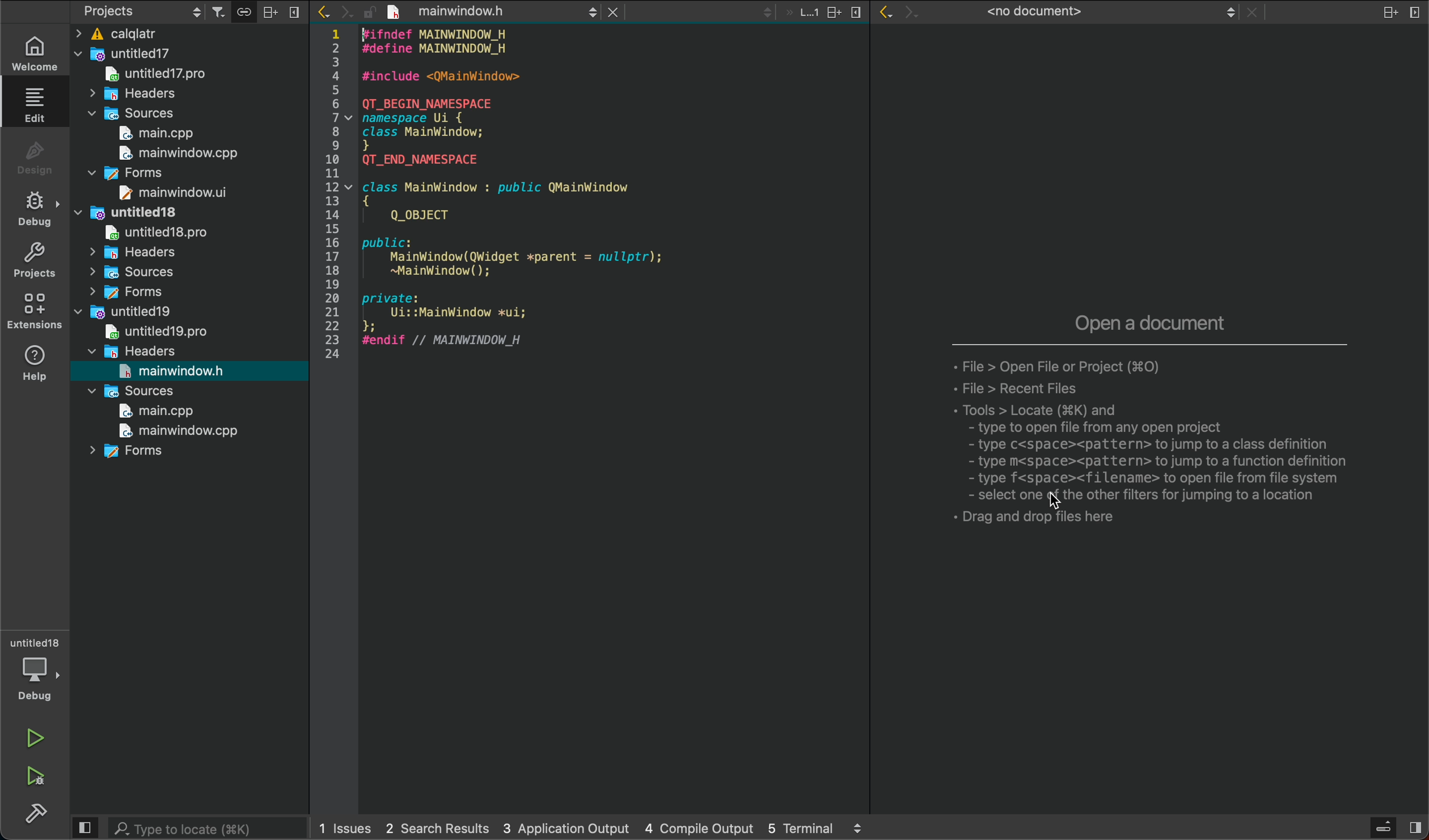 This screenshot has width=1429, height=840. What do you see at coordinates (130, 453) in the screenshot?
I see `forms` at bounding box center [130, 453].